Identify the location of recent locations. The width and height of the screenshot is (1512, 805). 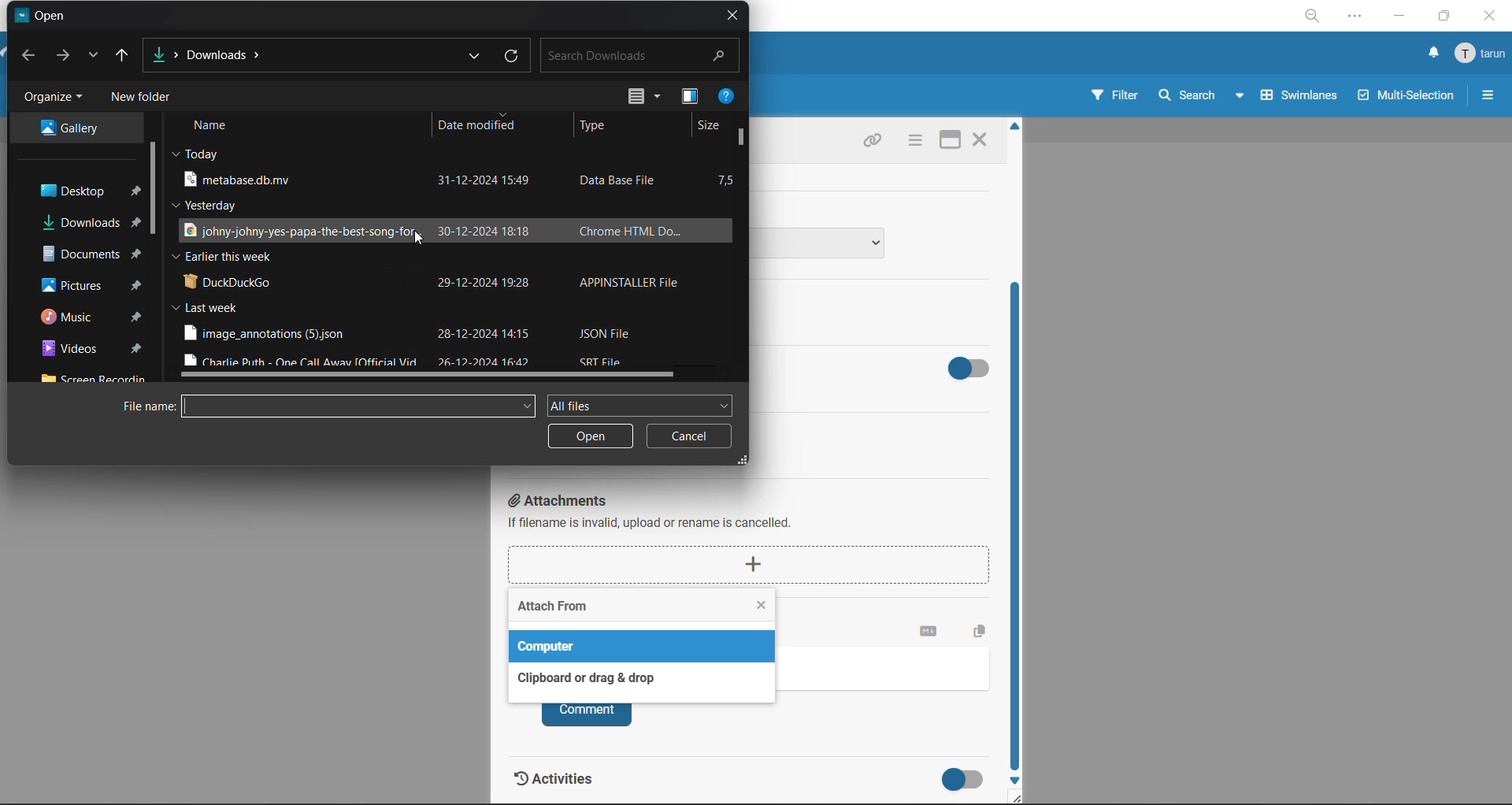
(95, 52).